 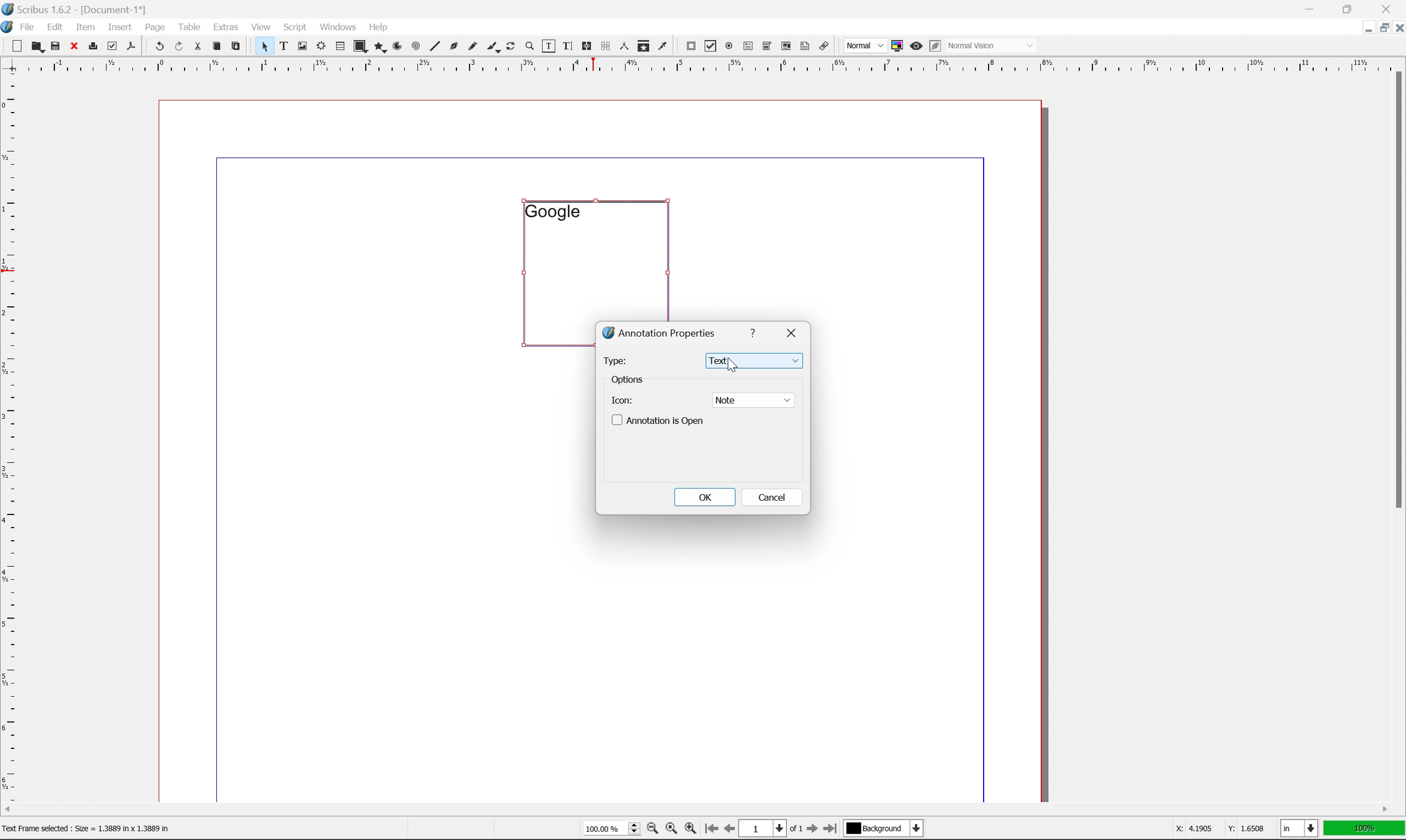 I want to click on 100%, so click(x=1365, y=829).